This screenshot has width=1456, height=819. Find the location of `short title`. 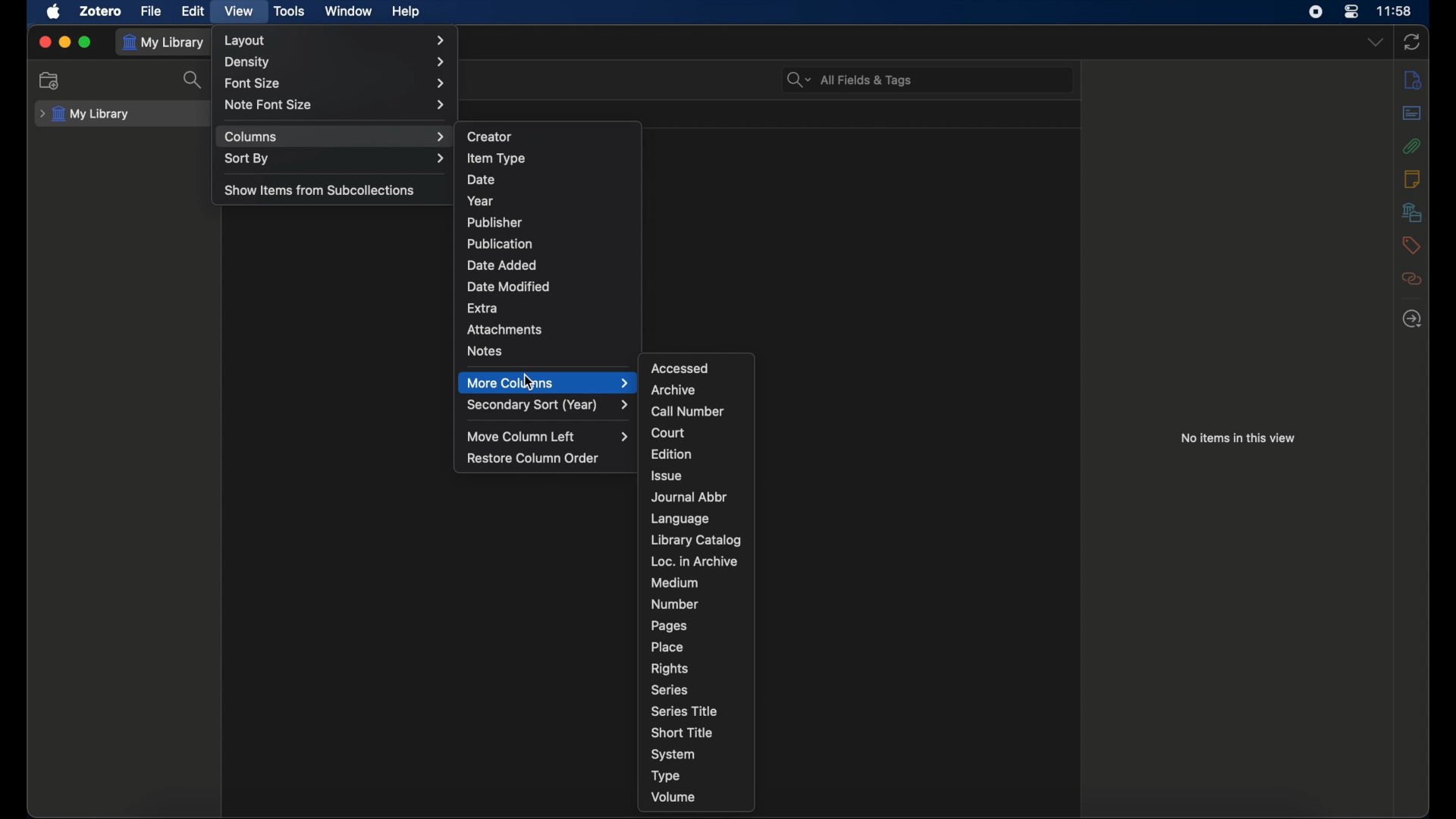

short title is located at coordinates (679, 733).